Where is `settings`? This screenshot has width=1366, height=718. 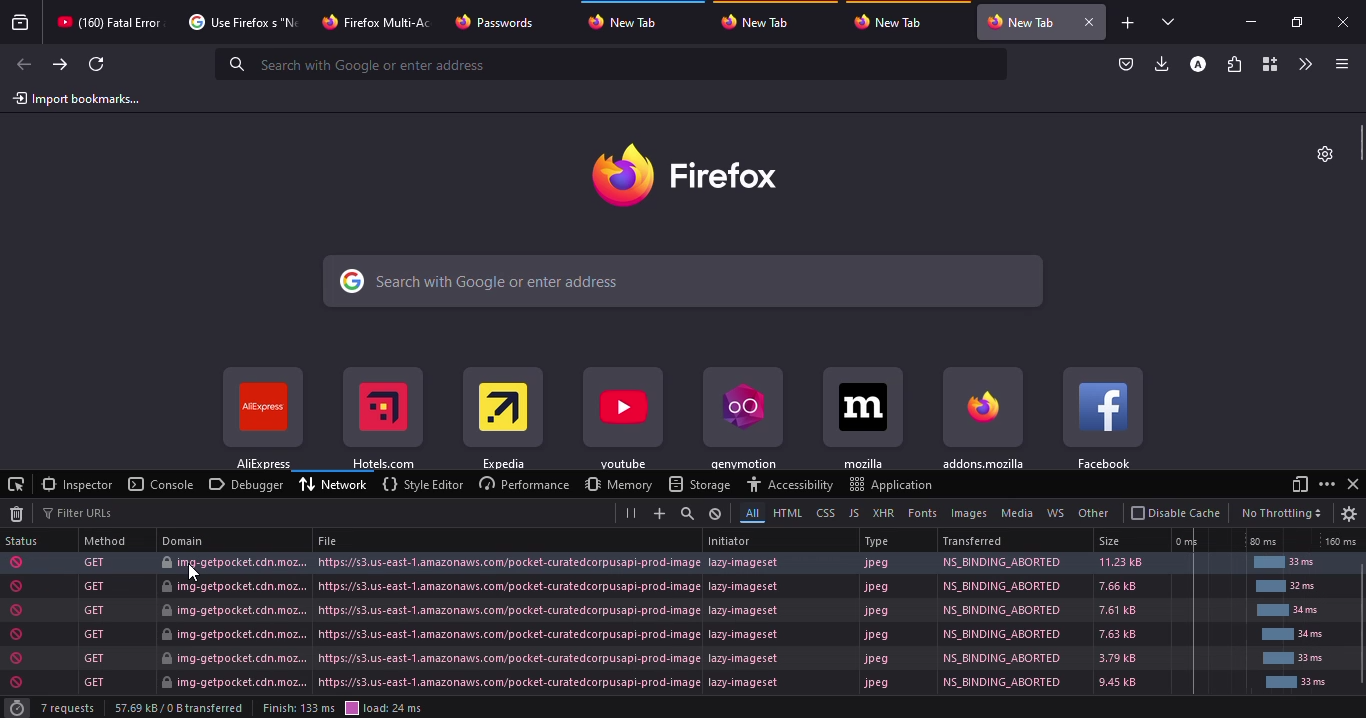
settings is located at coordinates (1327, 153).